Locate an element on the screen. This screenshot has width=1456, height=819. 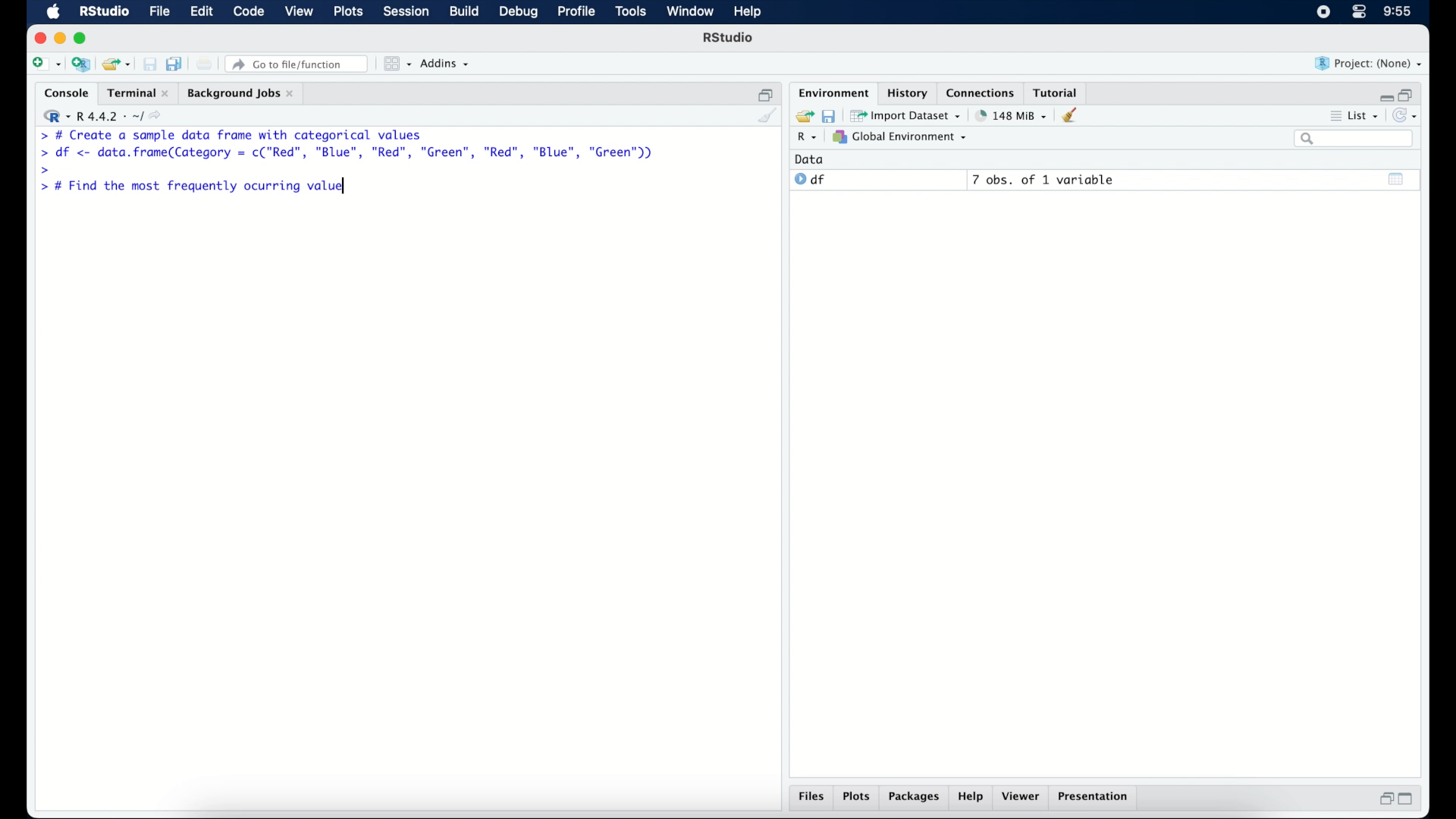
save all open documents is located at coordinates (174, 62).